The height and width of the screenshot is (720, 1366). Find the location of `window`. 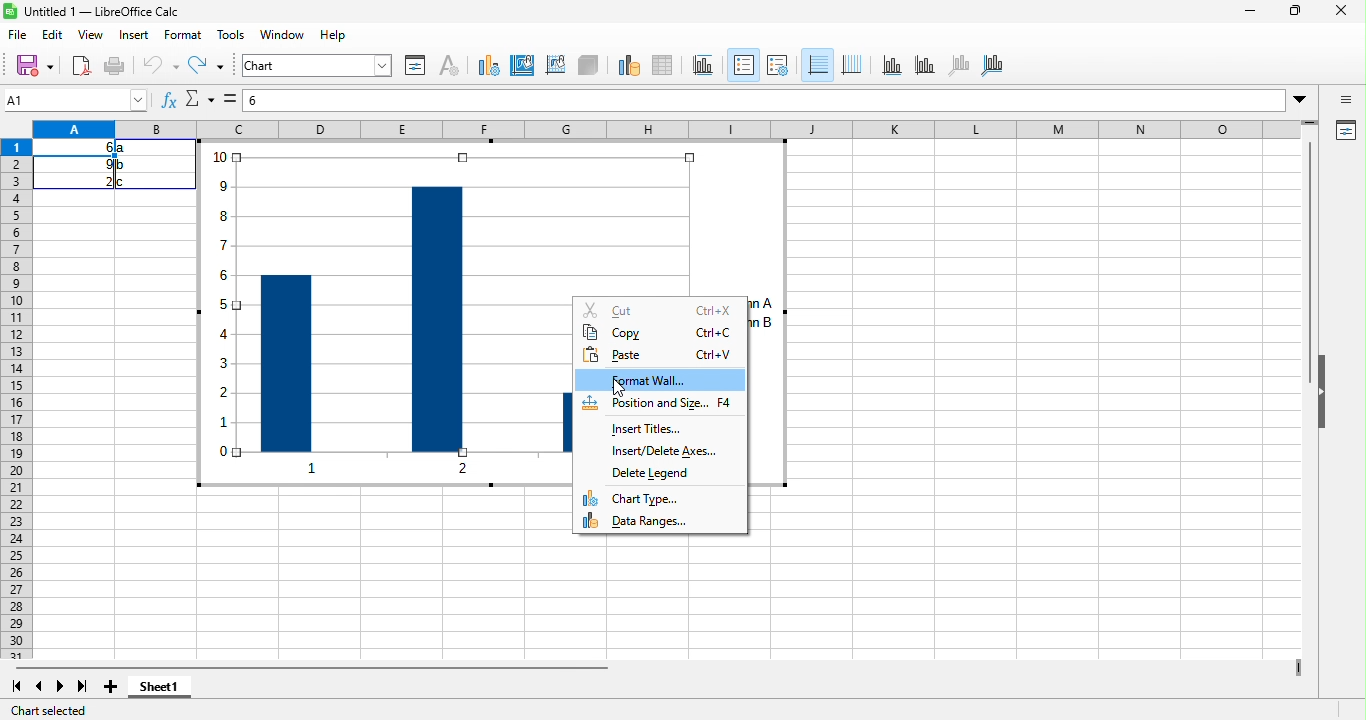

window is located at coordinates (284, 35).